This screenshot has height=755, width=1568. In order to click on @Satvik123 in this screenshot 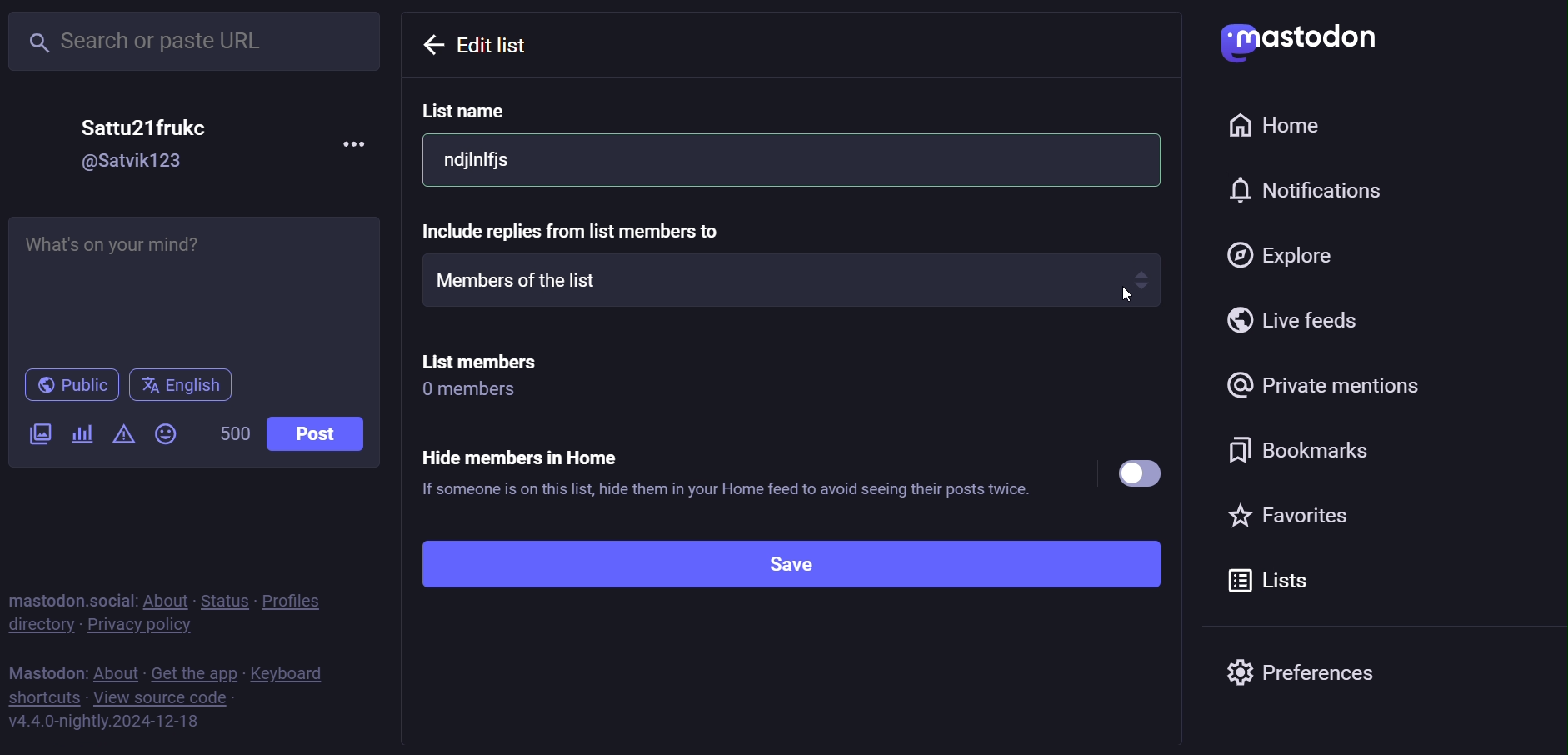, I will do `click(136, 162)`.